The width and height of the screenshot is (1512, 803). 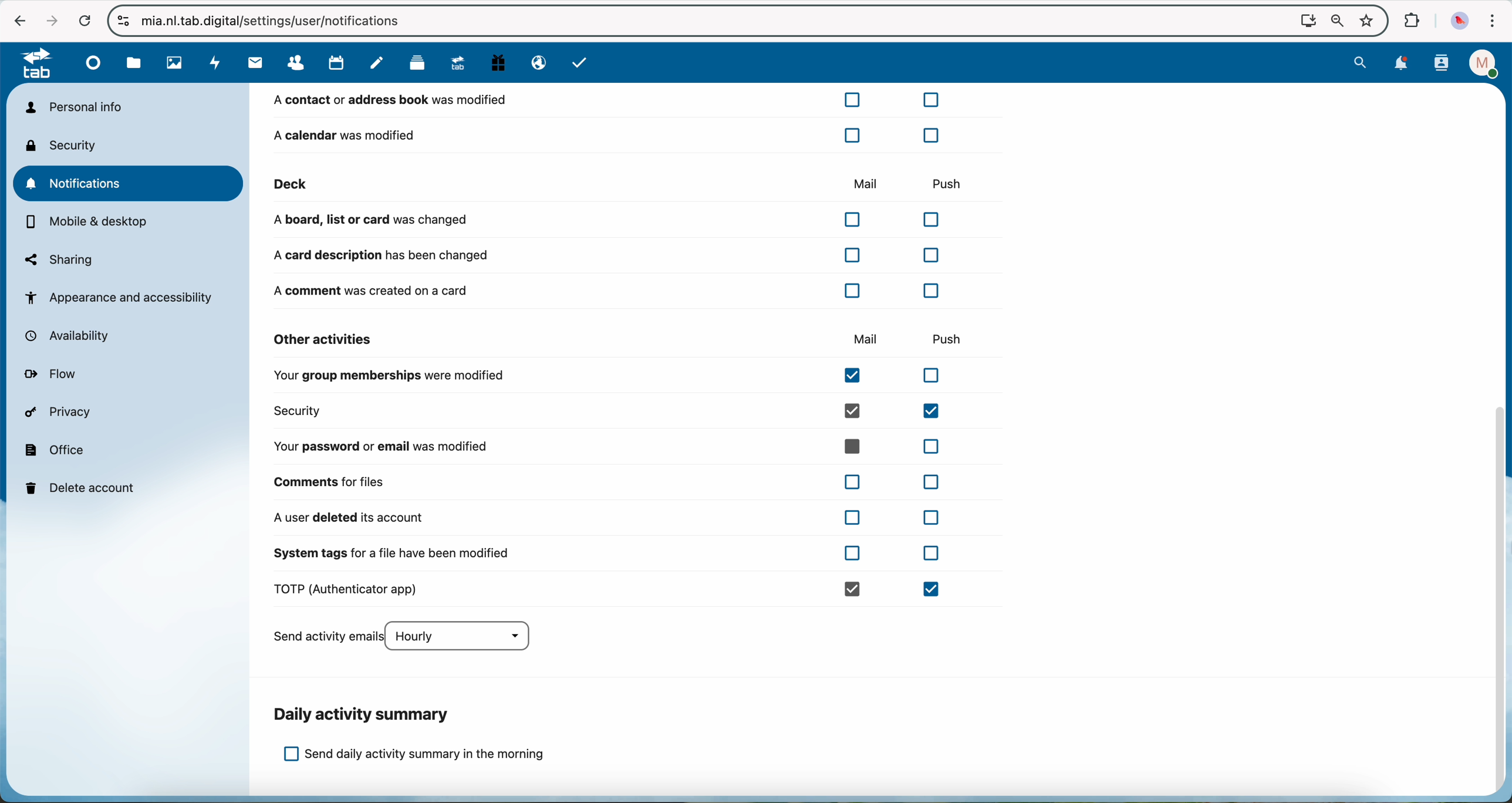 What do you see at coordinates (253, 63) in the screenshot?
I see `mail` at bounding box center [253, 63].